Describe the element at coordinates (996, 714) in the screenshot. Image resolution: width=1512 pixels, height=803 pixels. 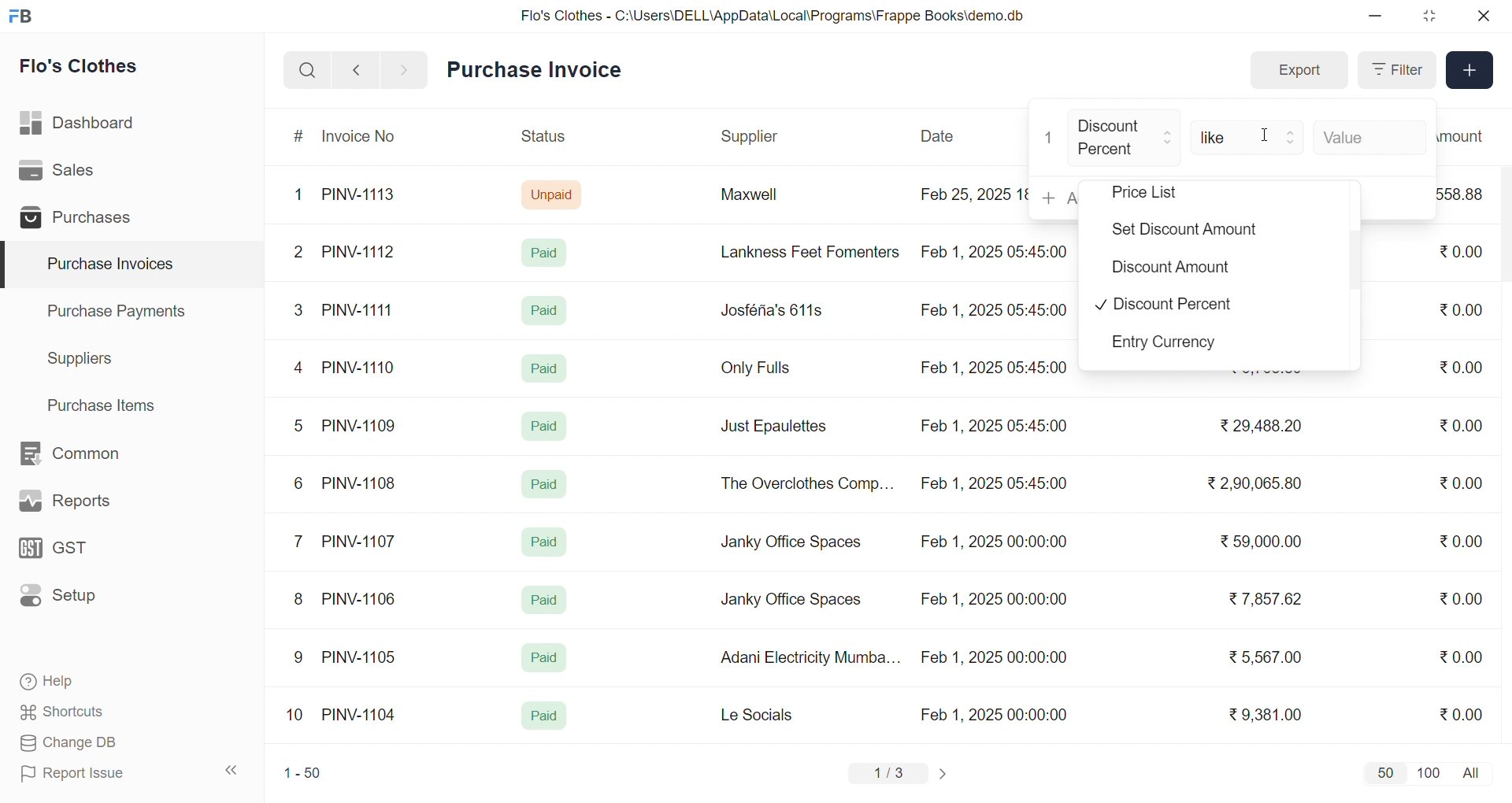
I see `Feb 1, 2025 00:00:00` at that location.